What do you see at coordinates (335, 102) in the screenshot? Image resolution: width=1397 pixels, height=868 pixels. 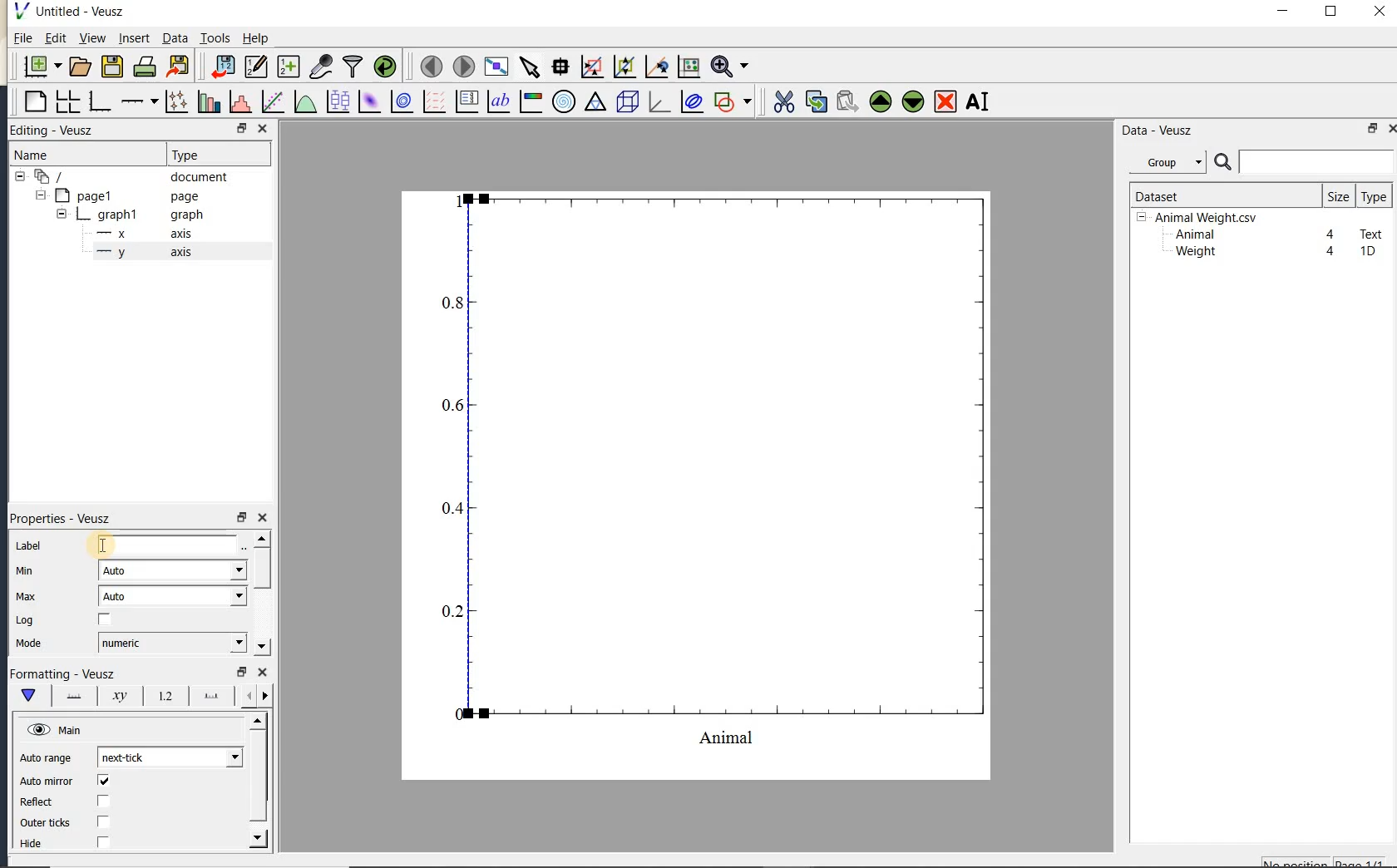 I see `plot box plots` at bounding box center [335, 102].